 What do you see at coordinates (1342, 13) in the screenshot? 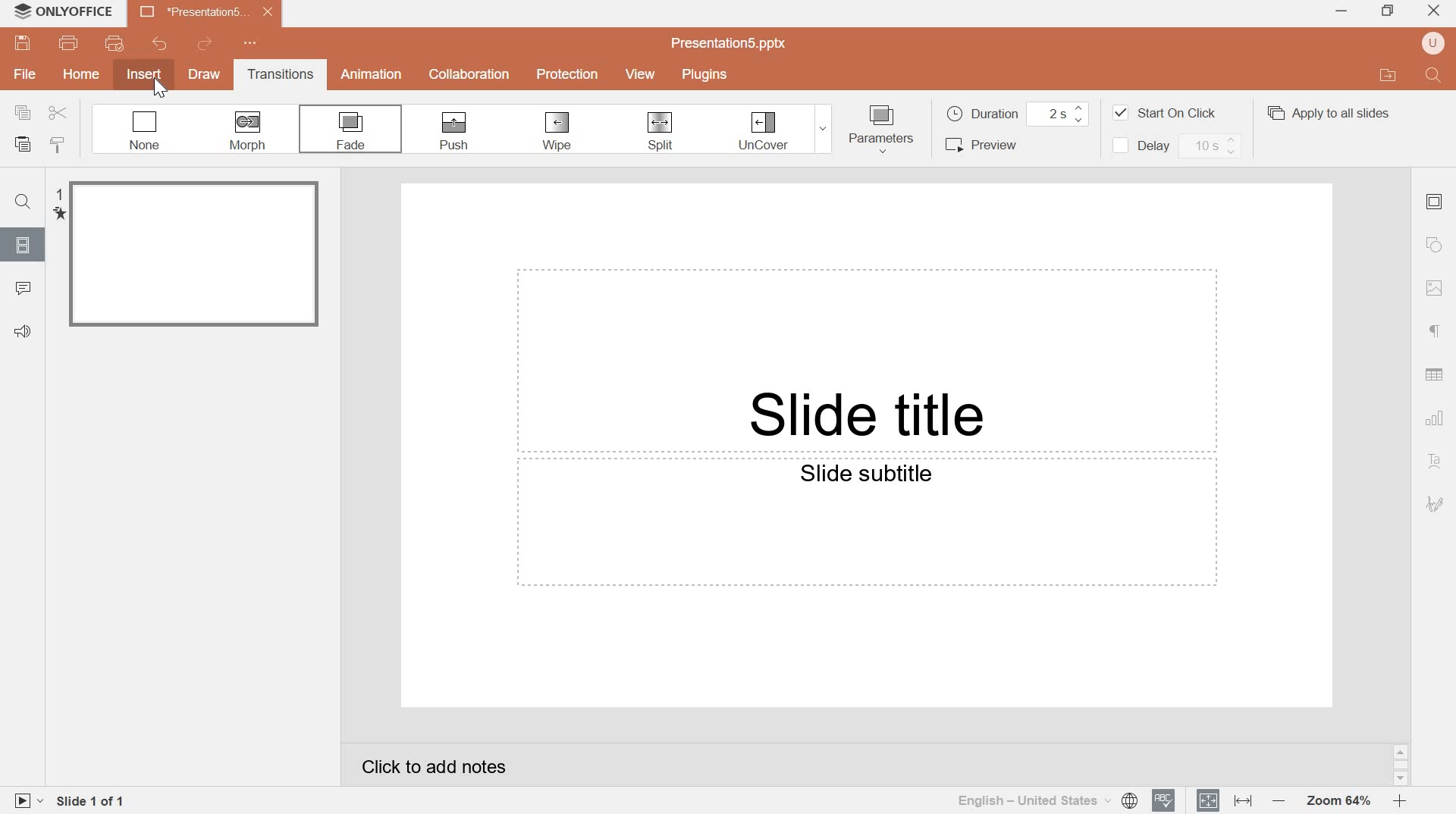
I see `MINIMIZE` at bounding box center [1342, 13].